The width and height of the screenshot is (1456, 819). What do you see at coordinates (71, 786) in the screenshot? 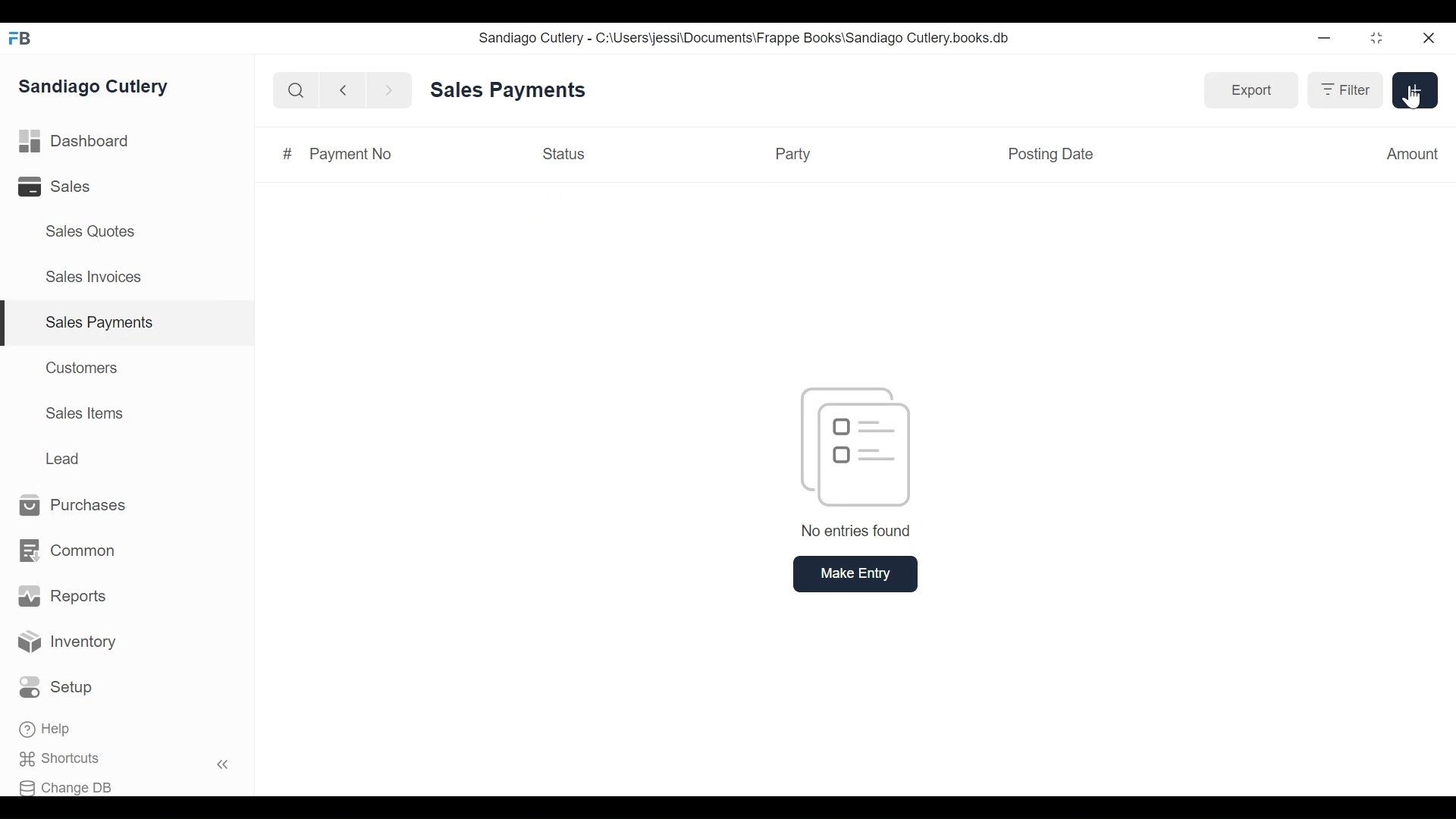
I see `Change DB` at bounding box center [71, 786].